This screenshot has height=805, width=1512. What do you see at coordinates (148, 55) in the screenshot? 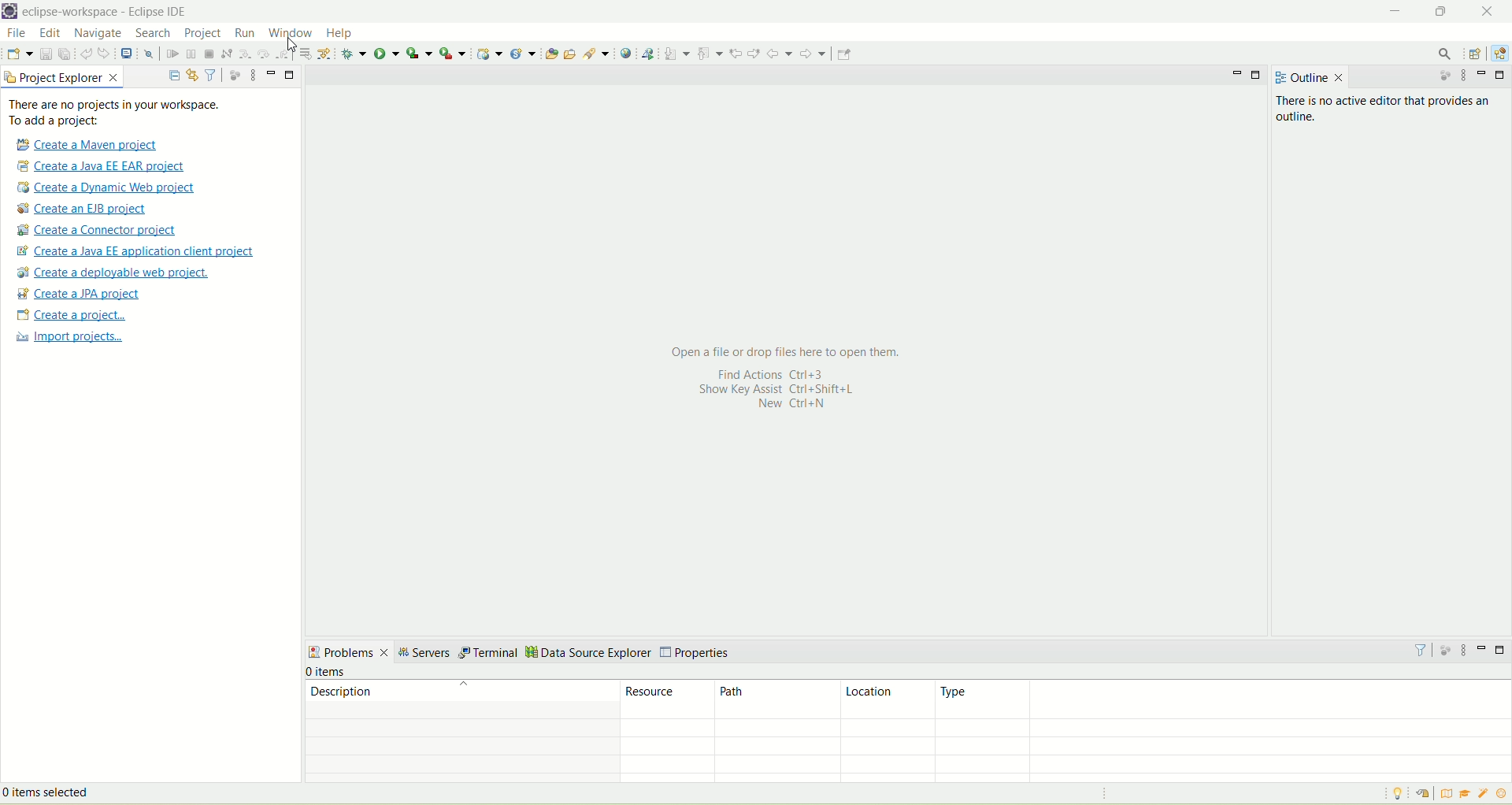
I see `skip all breakpoints` at bounding box center [148, 55].